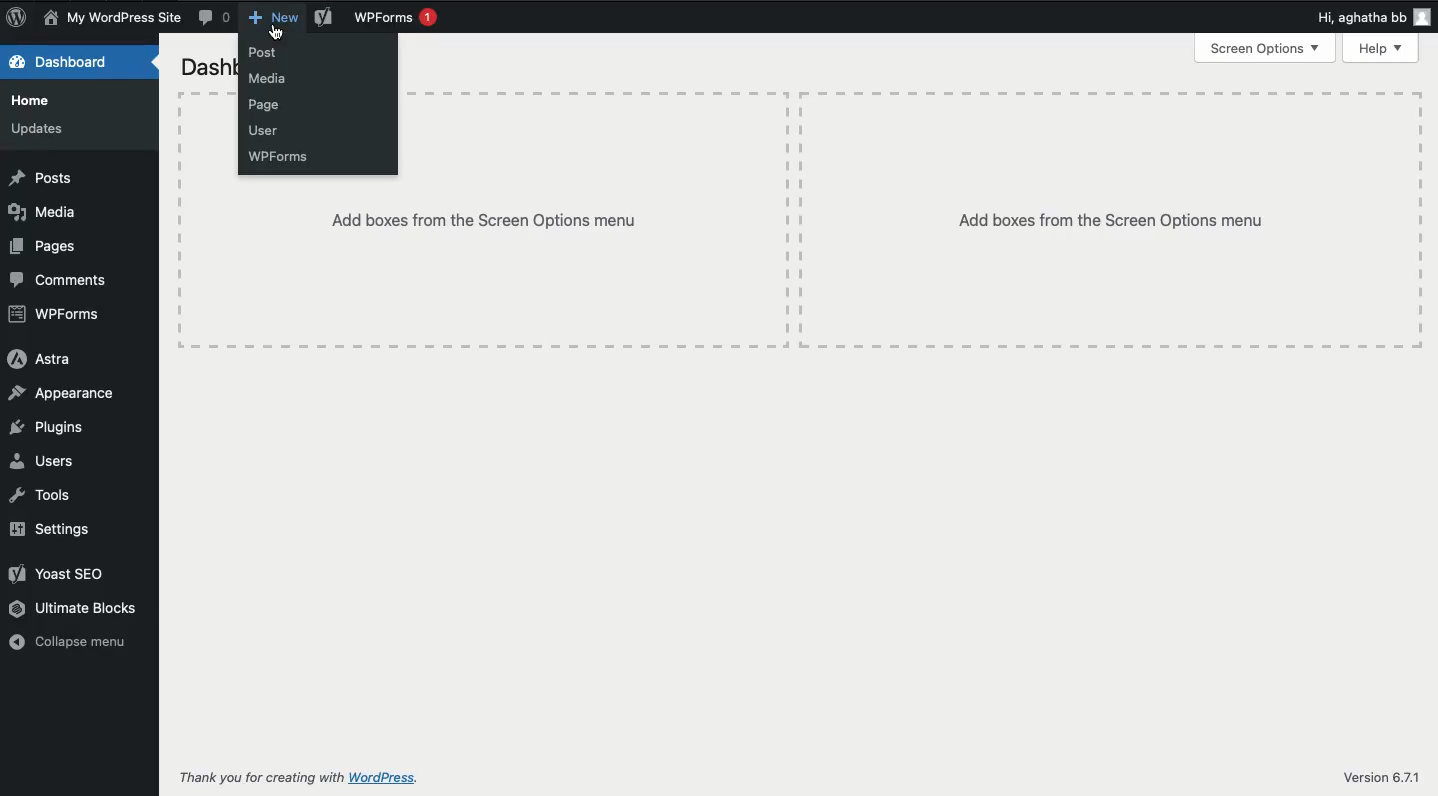 This screenshot has height=796, width=1438. What do you see at coordinates (277, 79) in the screenshot?
I see `Media` at bounding box center [277, 79].